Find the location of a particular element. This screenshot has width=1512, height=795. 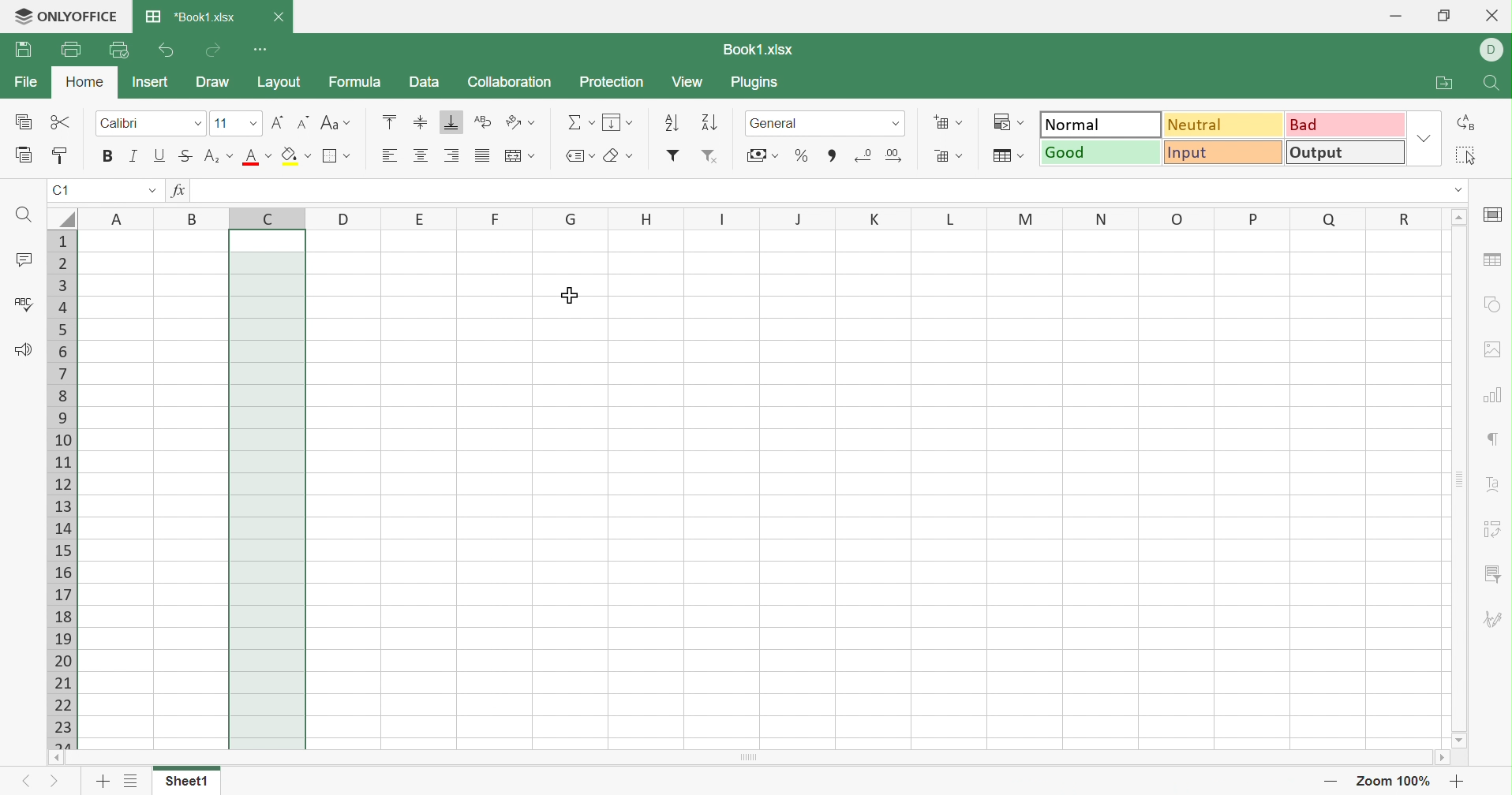

Zoom out is located at coordinates (1333, 780).